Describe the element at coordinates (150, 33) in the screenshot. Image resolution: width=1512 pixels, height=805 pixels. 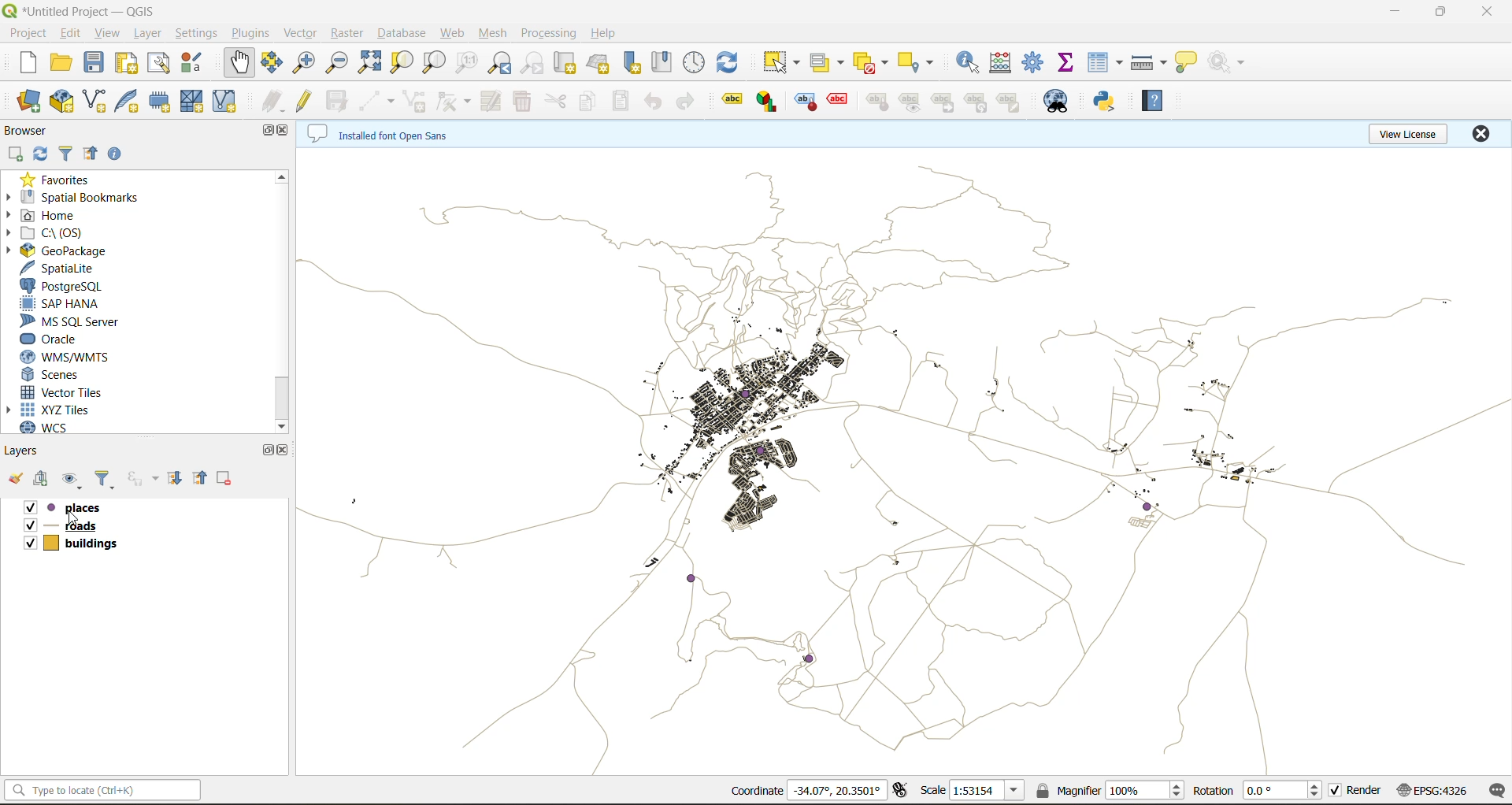
I see `layer` at that location.